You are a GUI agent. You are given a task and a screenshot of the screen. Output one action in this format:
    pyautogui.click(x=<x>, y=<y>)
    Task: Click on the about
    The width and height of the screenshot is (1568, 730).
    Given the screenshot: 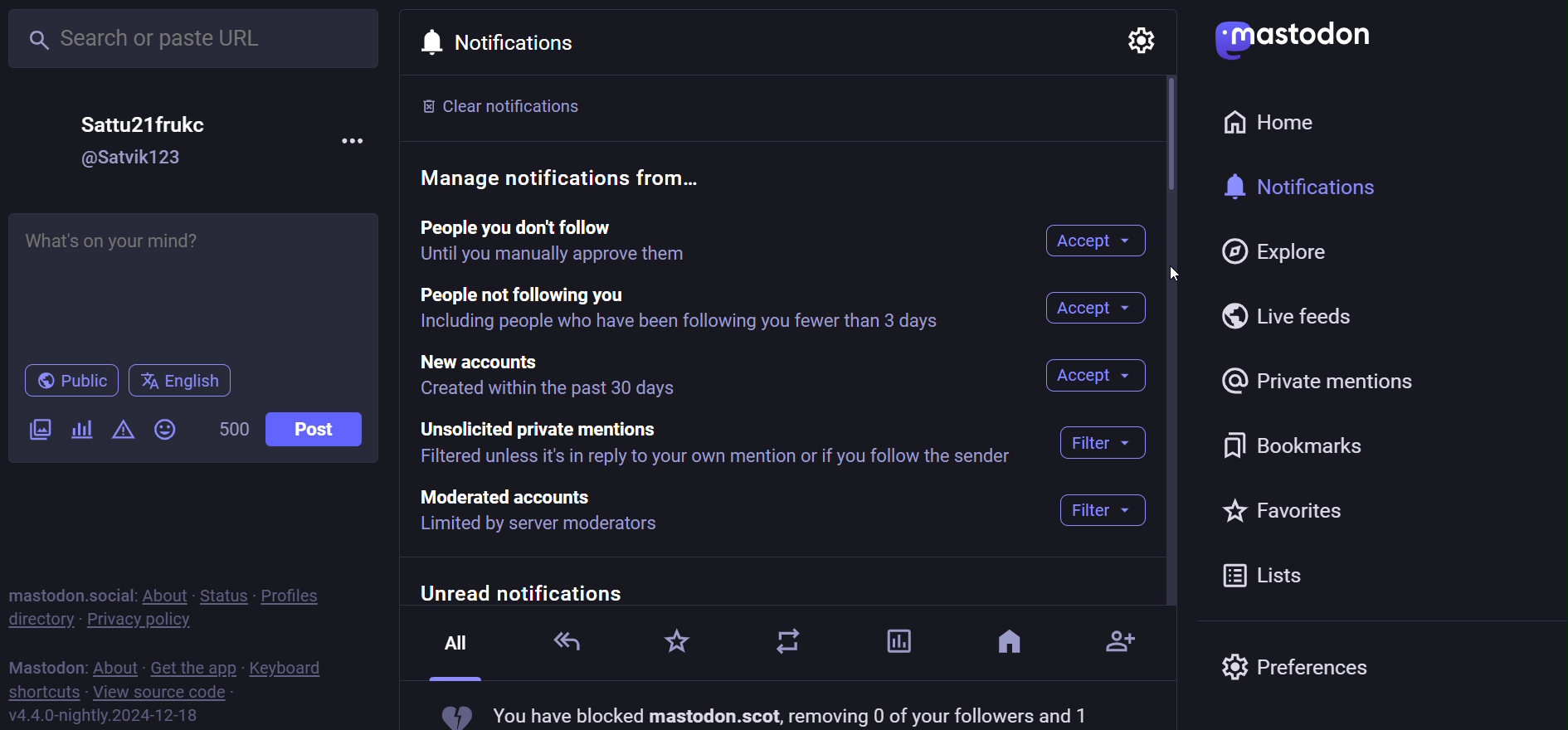 What is the action you would take?
    pyautogui.click(x=116, y=664)
    